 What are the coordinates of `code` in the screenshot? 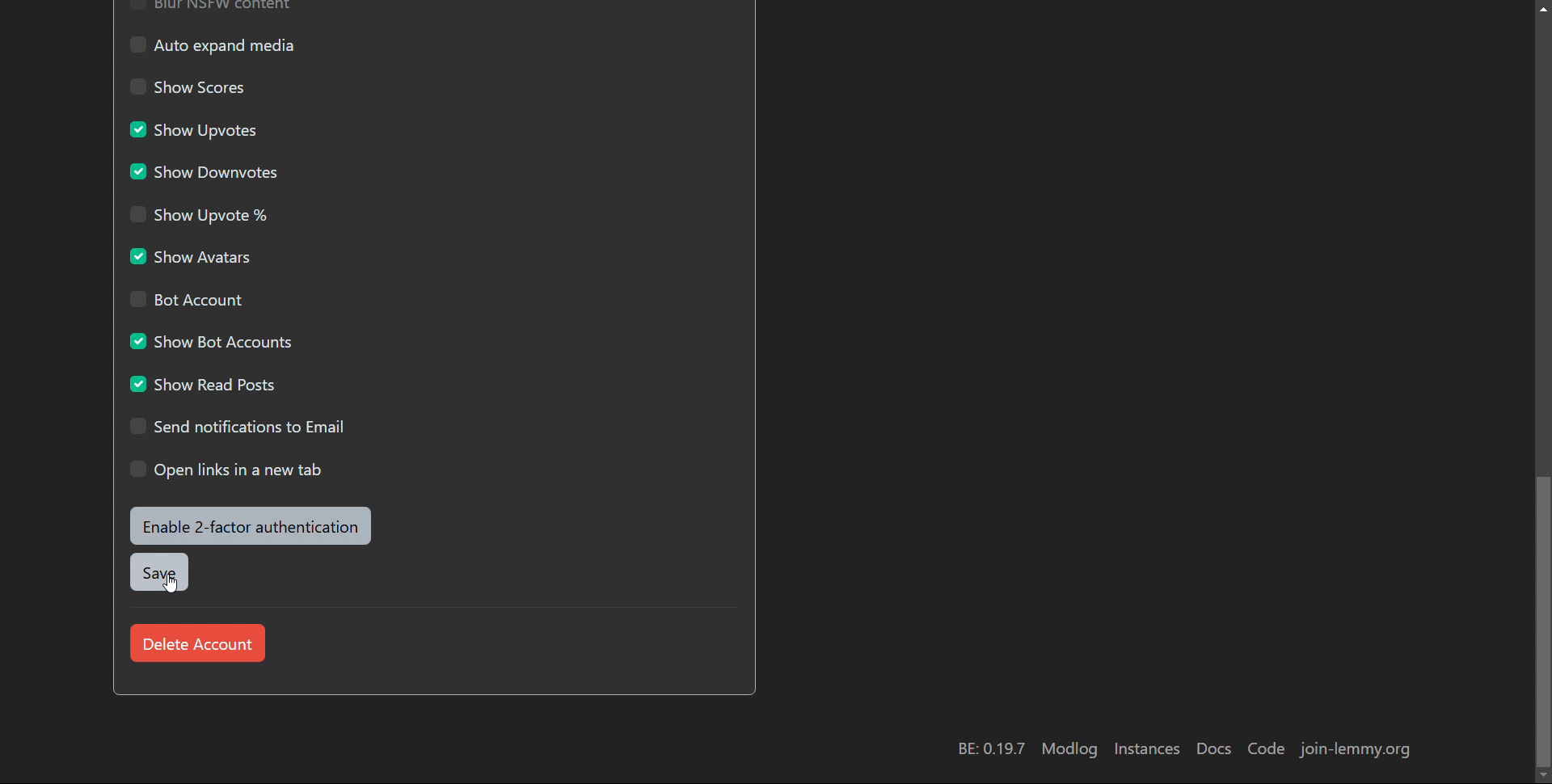 It's located at (1267, 748).